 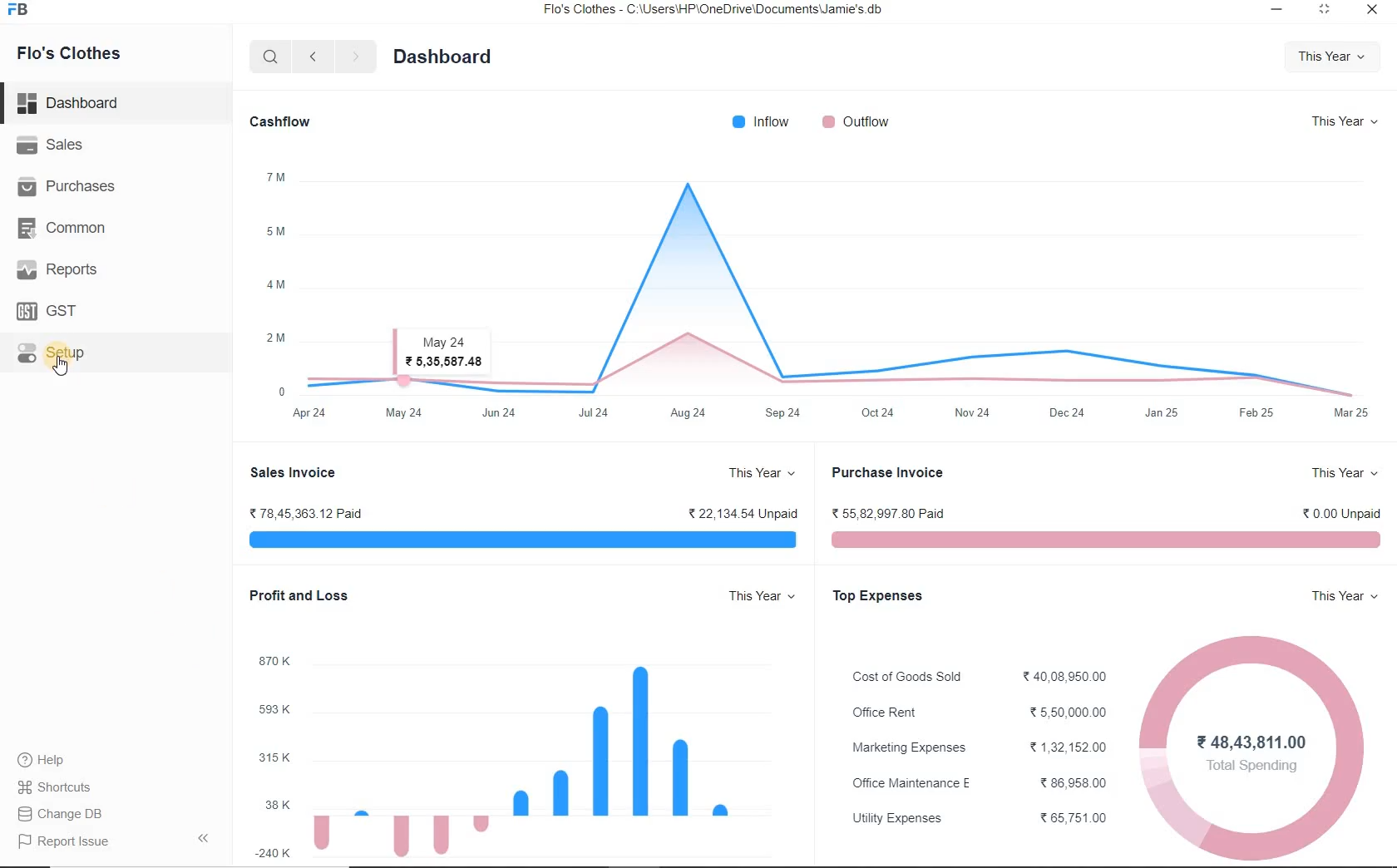 What do you see at coordinates (1104, 542) in the screenshot?
I see `pink line` at bounding box center [1104, 542].